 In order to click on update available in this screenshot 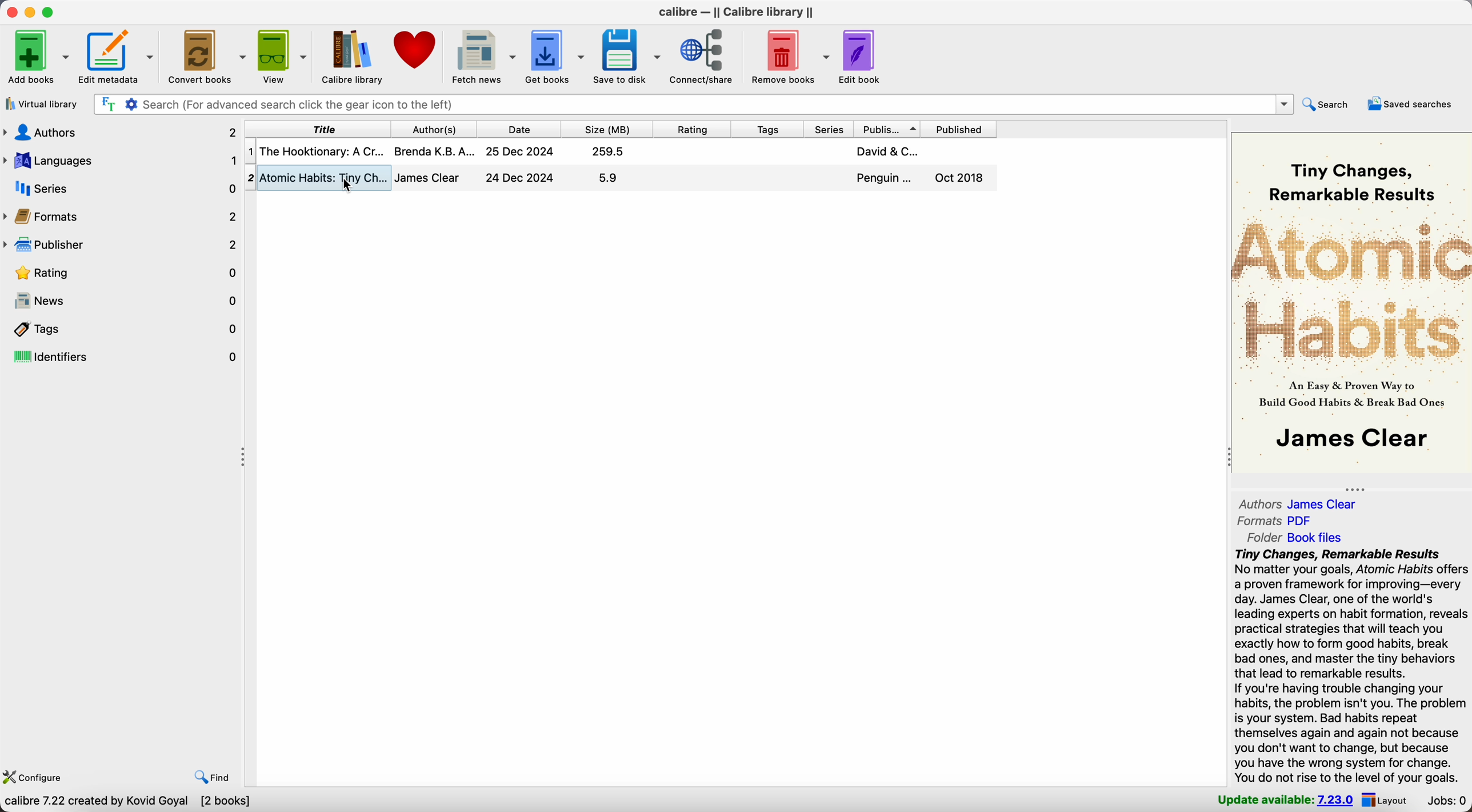, I will do `click(1286, 801)`.